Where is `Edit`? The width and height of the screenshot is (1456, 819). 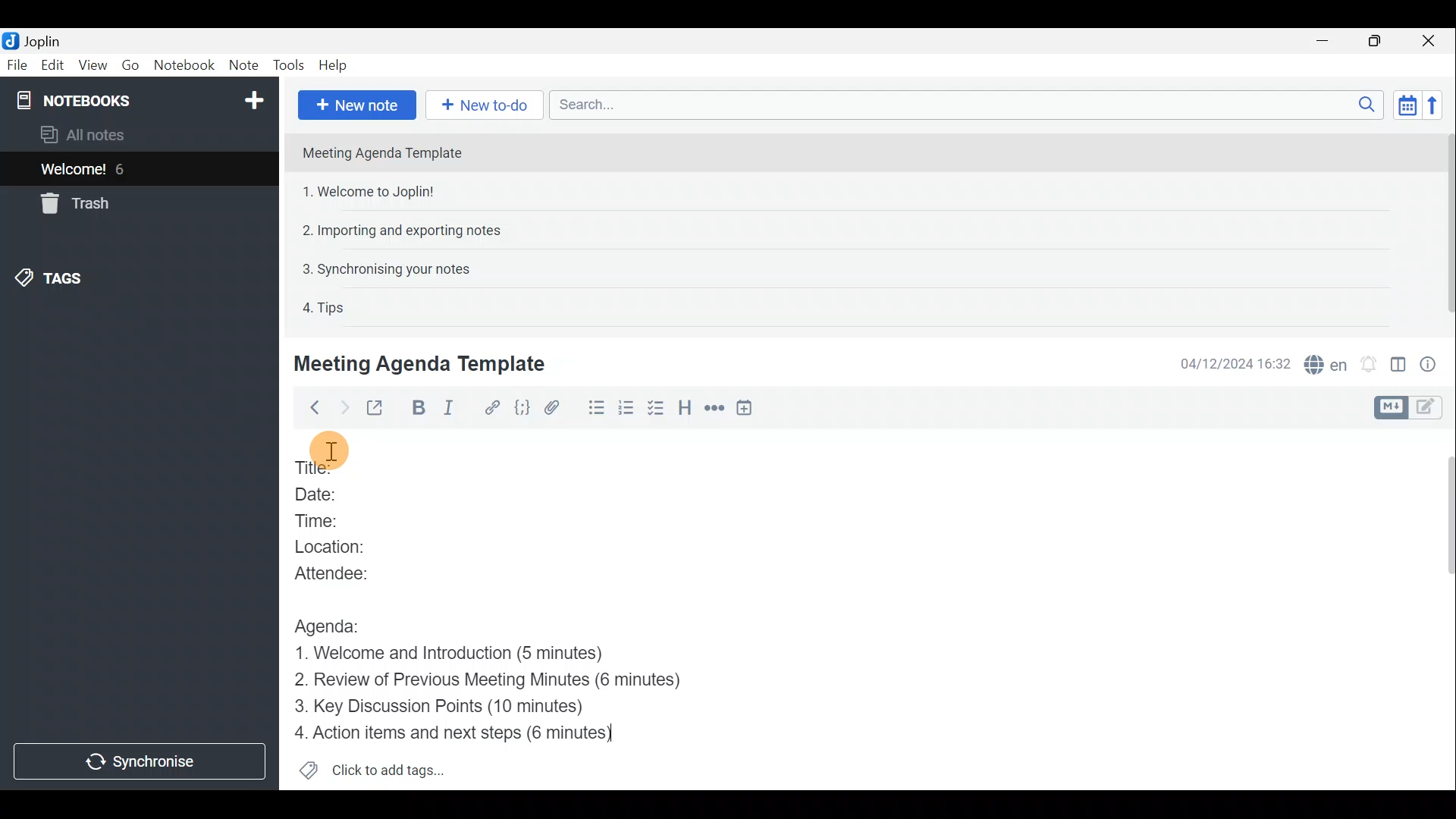 Edit is located at coordinates (53, 67).